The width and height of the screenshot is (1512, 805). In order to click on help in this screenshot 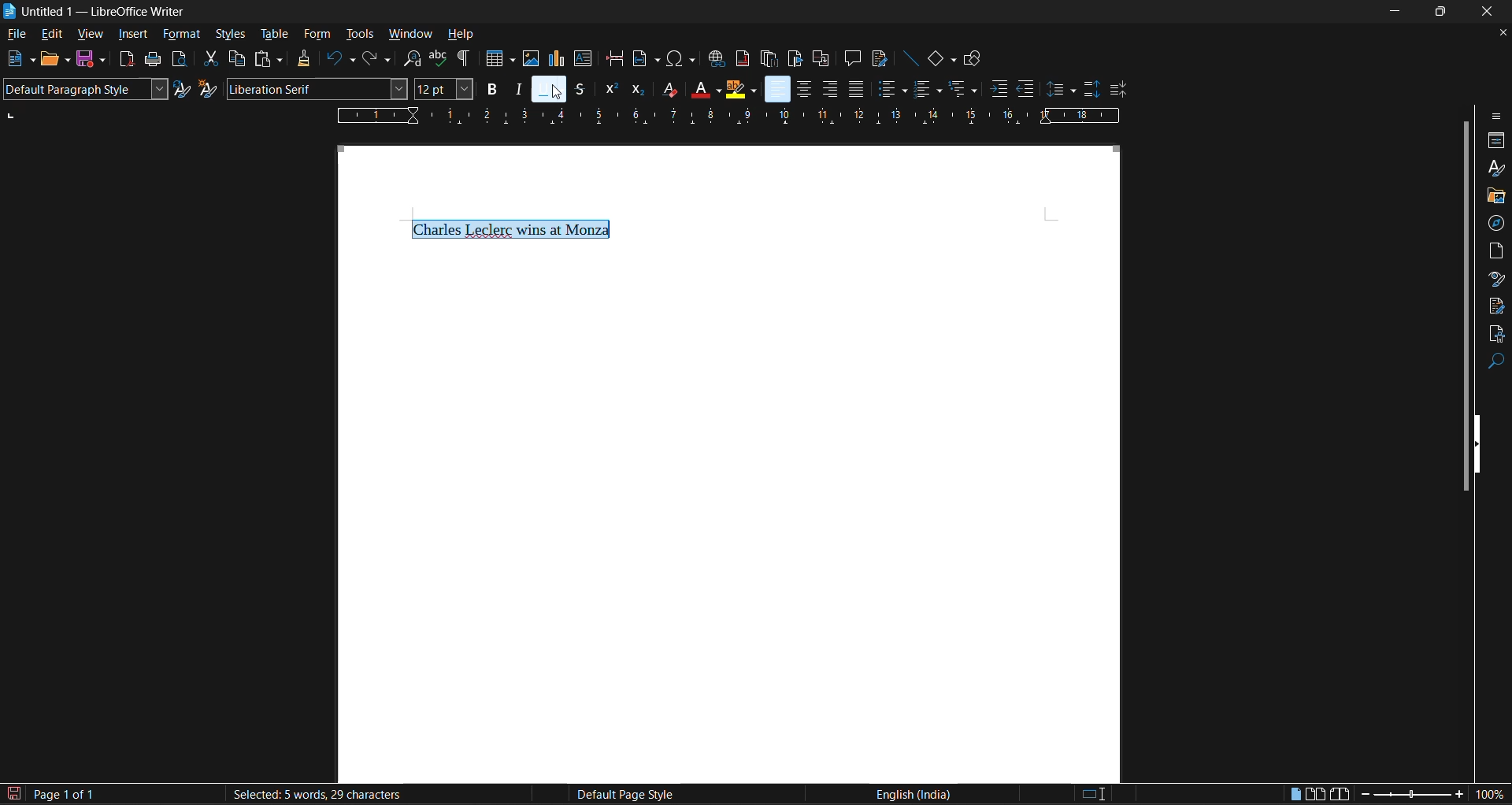, I will do `click(461, 34)`.